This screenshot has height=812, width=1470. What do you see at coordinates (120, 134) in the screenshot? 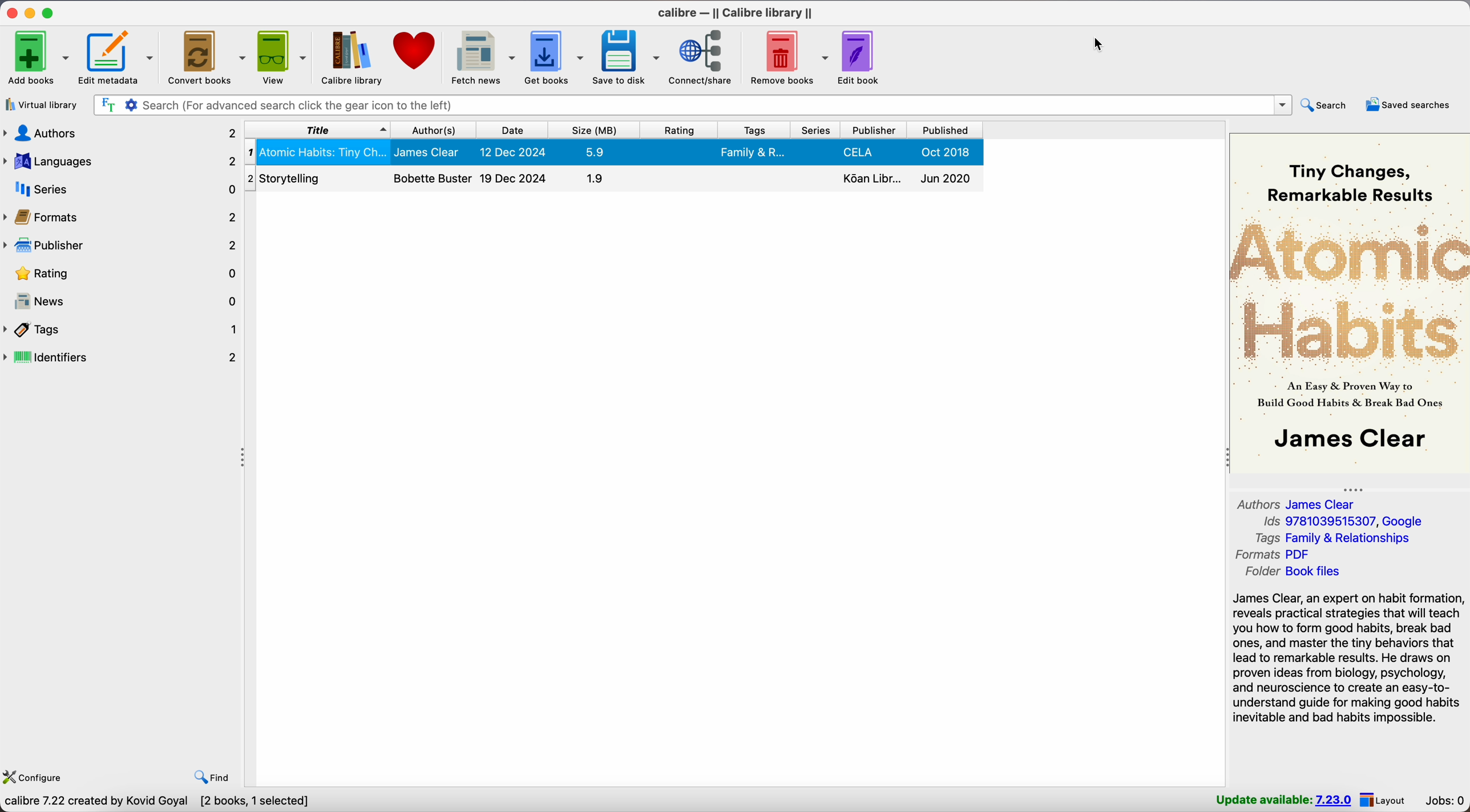
I see `authors` at bounding box center [120, 134].